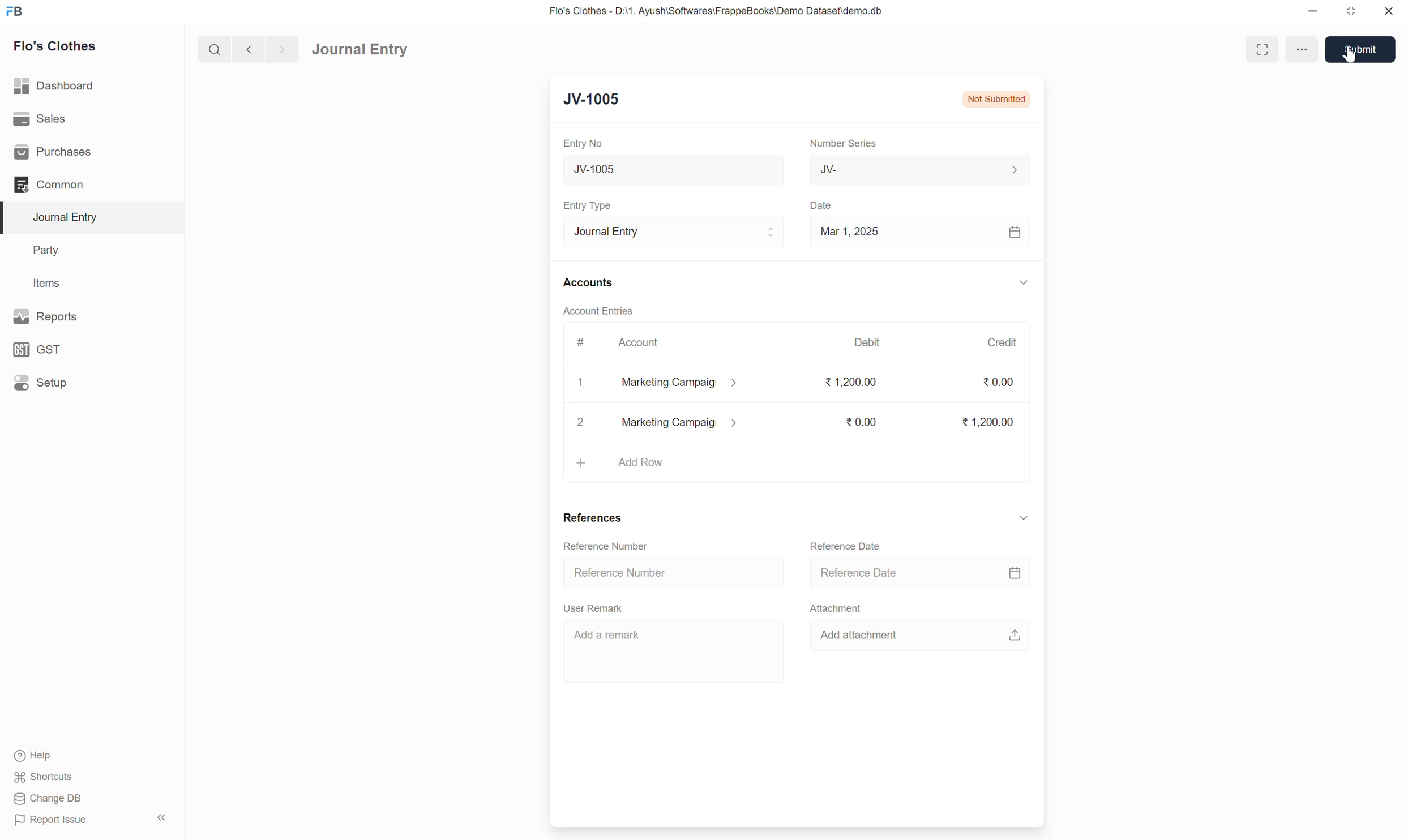 This screenshot has width=1408, height=840. Describe the element at coordinates (595, 609) in the screenshot. I see `User Remark` at that location.